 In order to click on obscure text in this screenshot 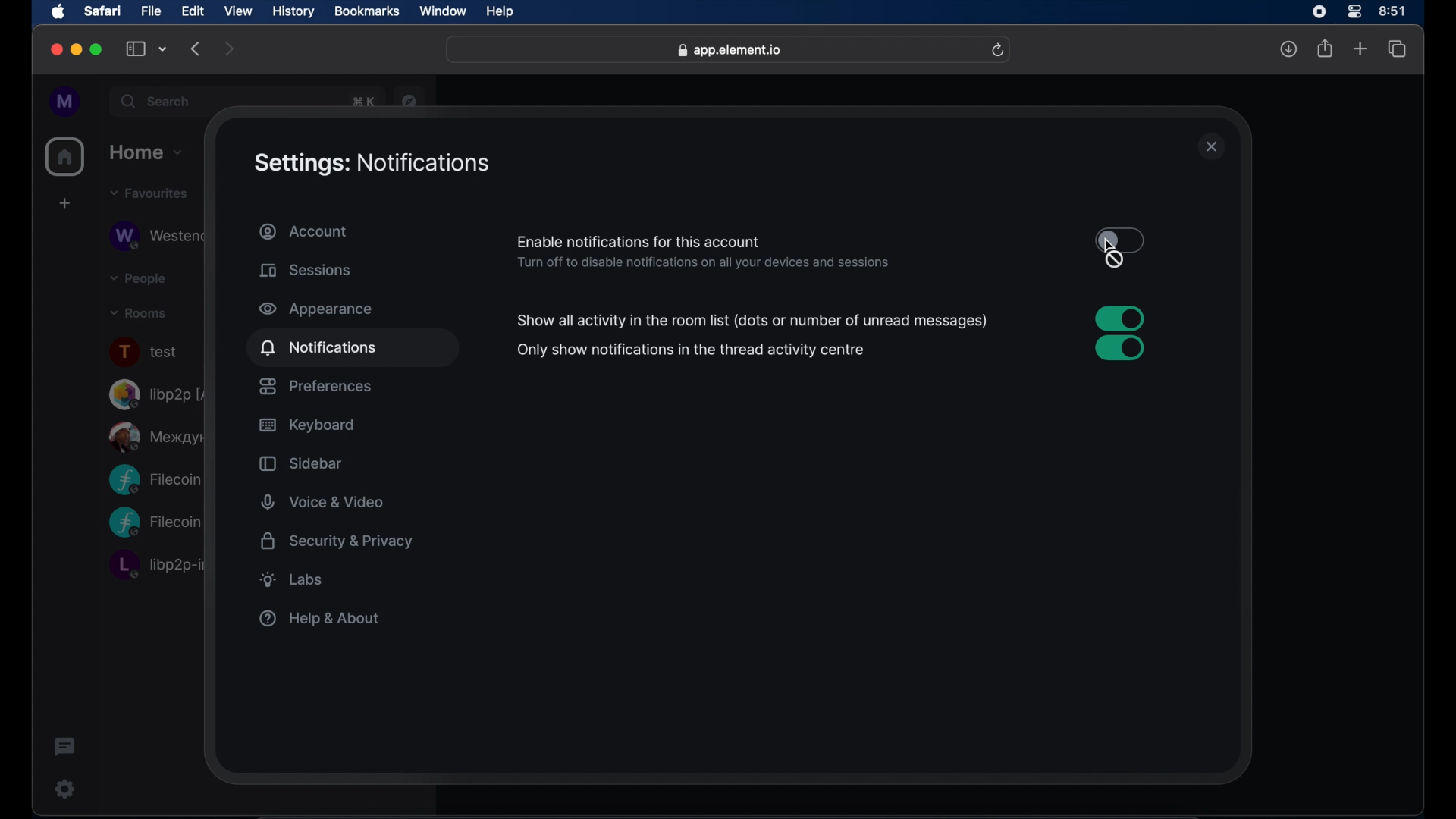, I will do `click(364, 102)`.